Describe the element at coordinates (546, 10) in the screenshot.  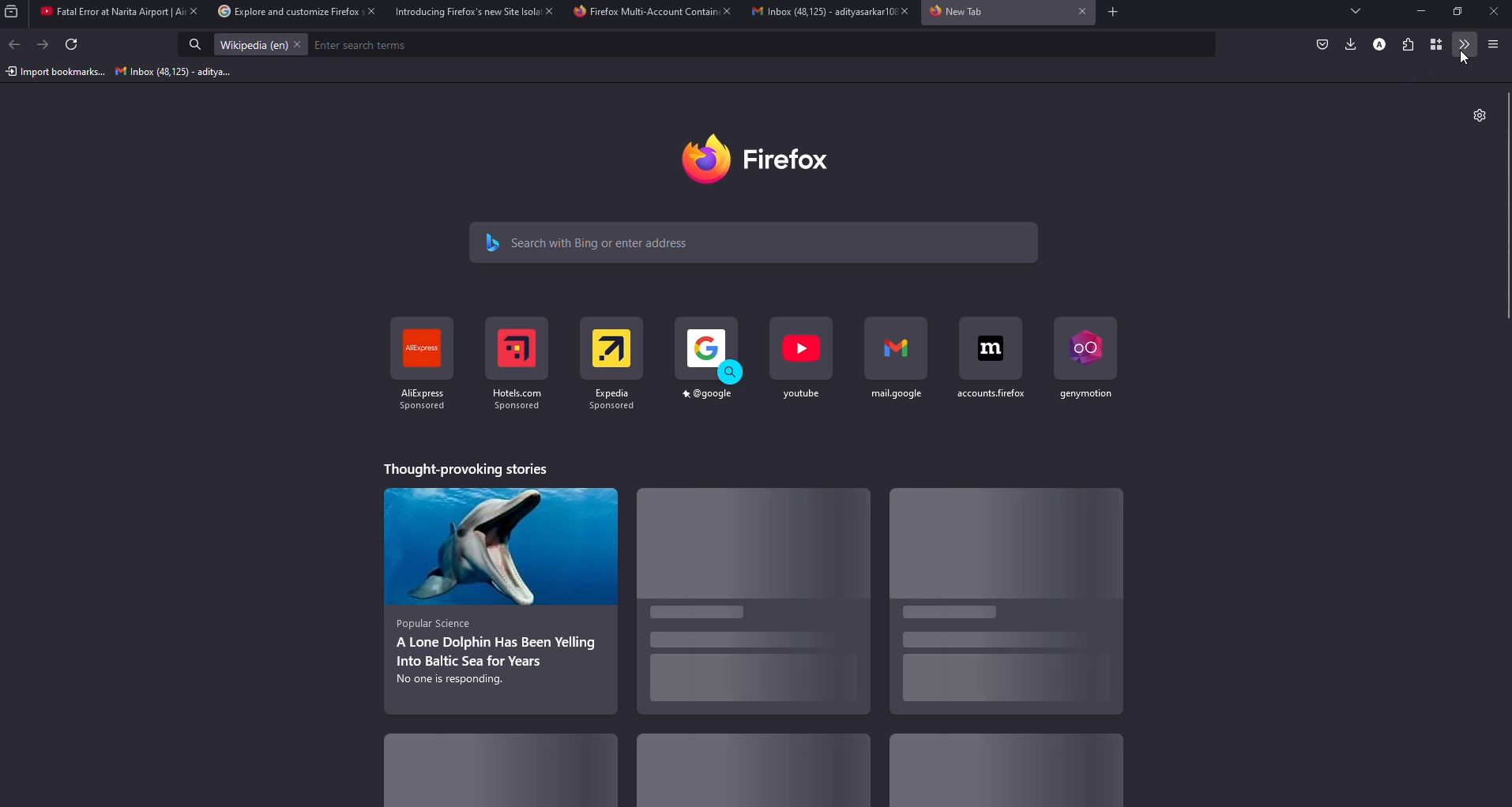
I see `close` at that location.